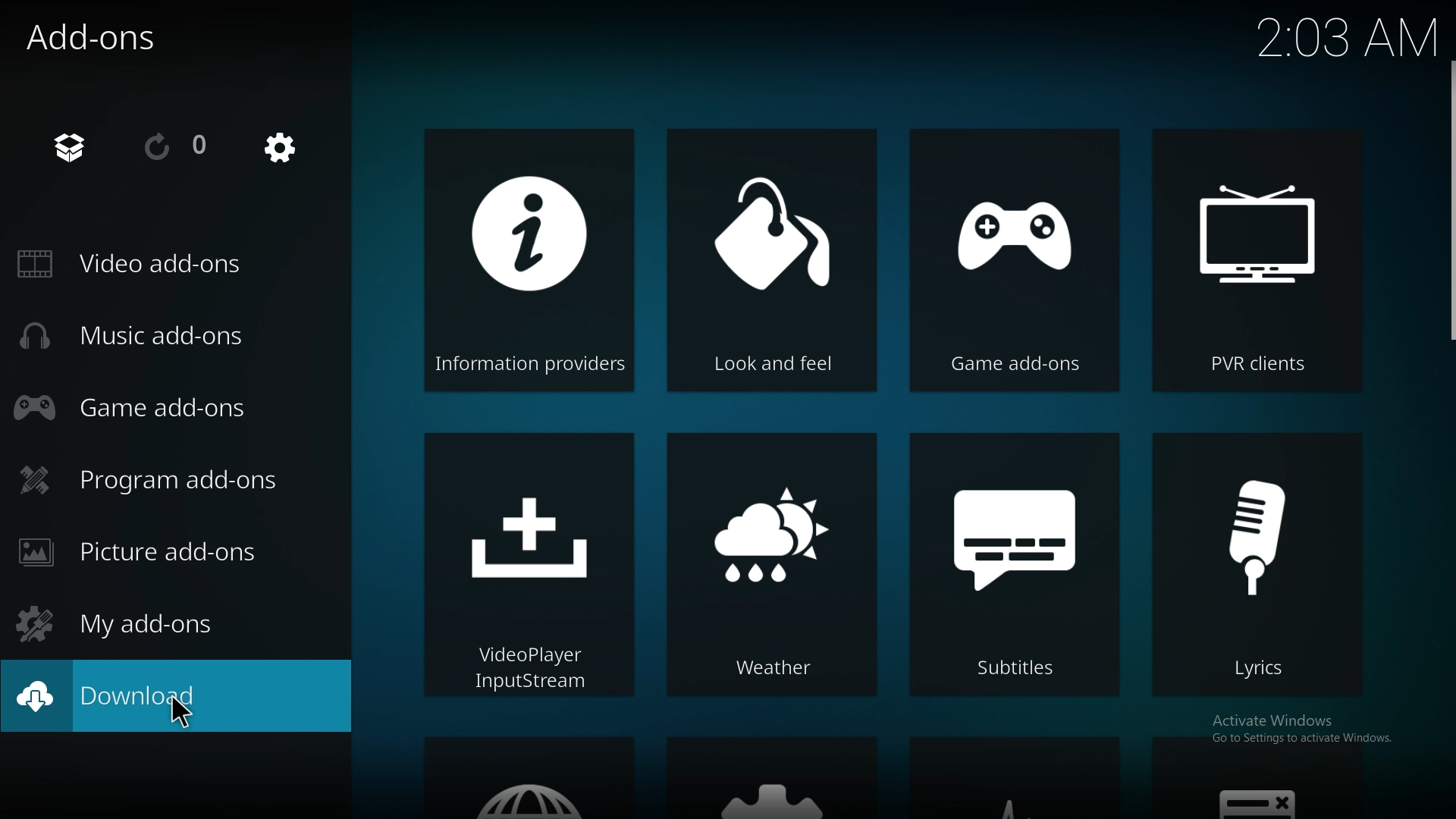 The height and width of the screenshot is (819, 1456). Describe the element at coordinates (528, 260) in the screenshot. I see `information providers` at that location.